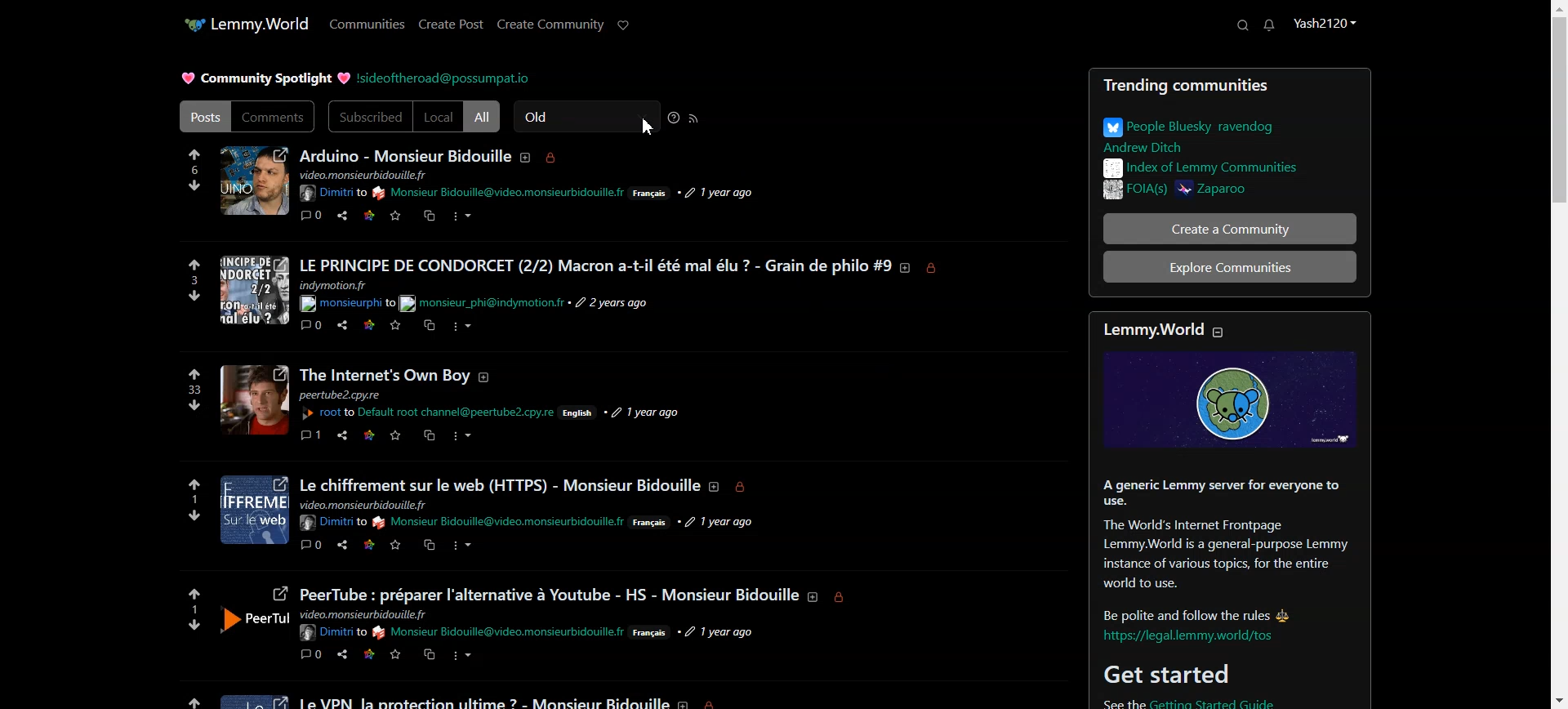  I want to click on RSS, so click(694, 118).